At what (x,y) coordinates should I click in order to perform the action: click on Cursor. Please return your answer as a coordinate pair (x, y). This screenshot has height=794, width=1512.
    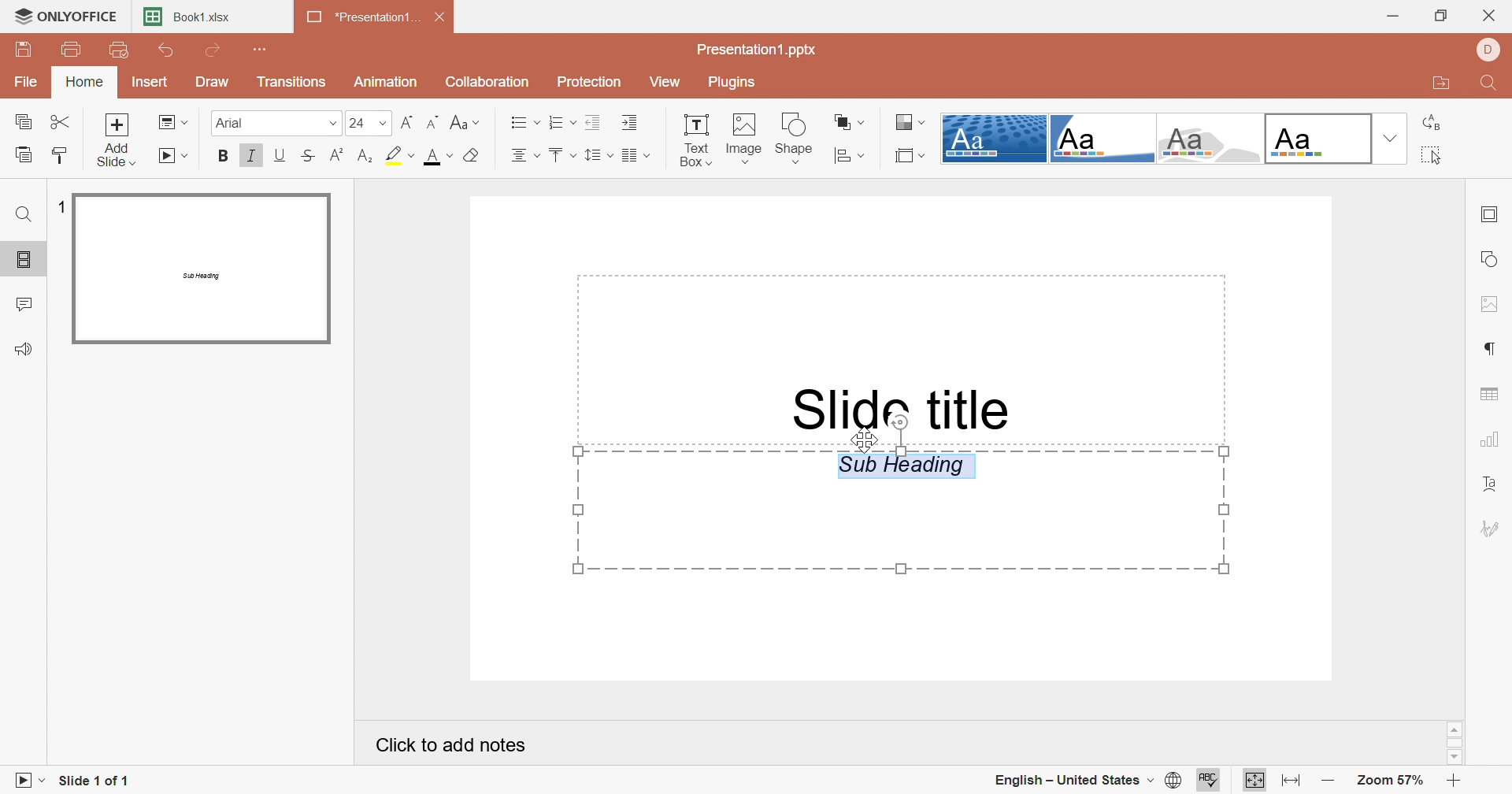
    Looking at the image, I should click on (868, 436).